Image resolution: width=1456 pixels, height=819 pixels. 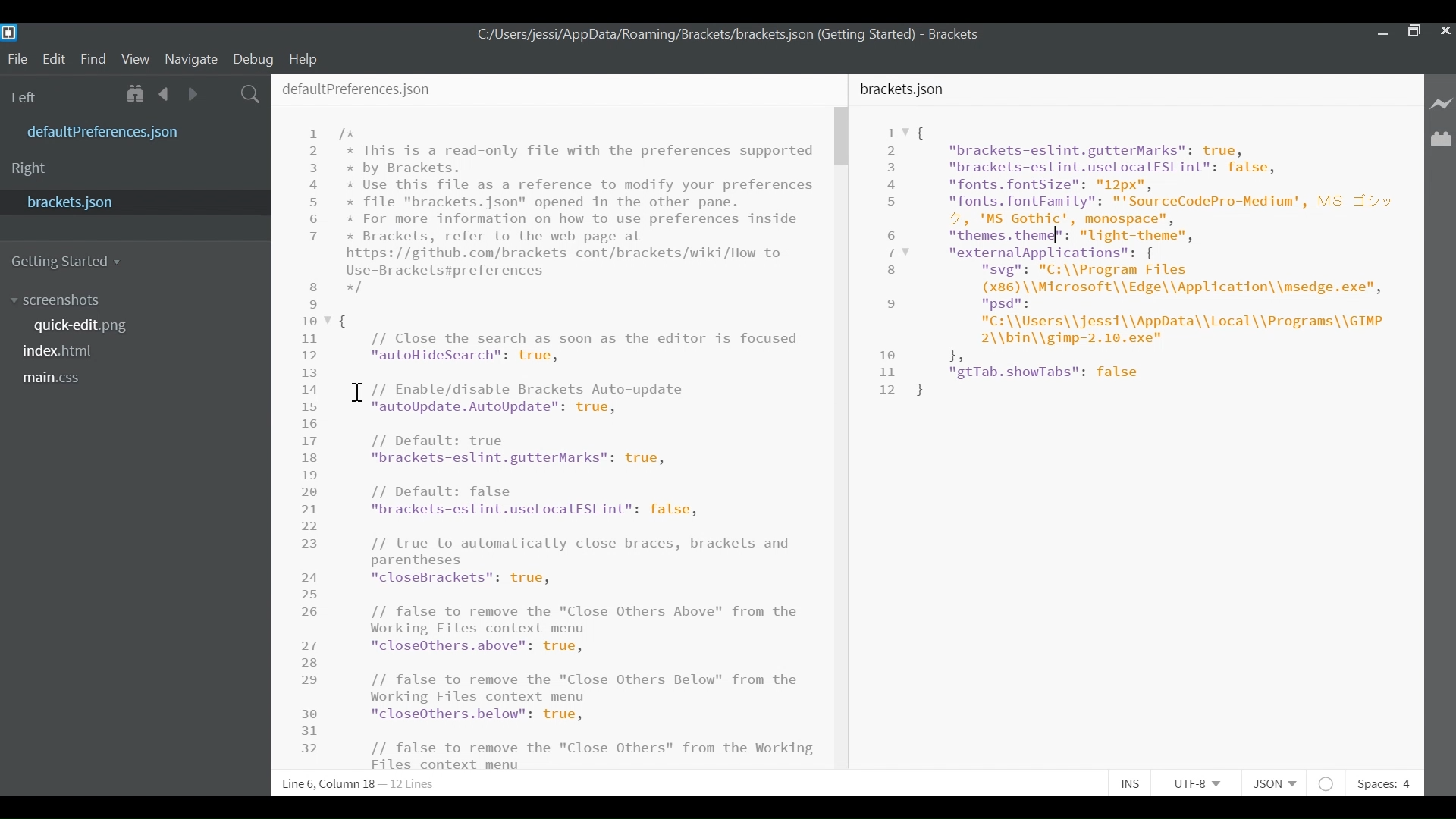 I want to click on Screenshot, so click(x=58, y=301).